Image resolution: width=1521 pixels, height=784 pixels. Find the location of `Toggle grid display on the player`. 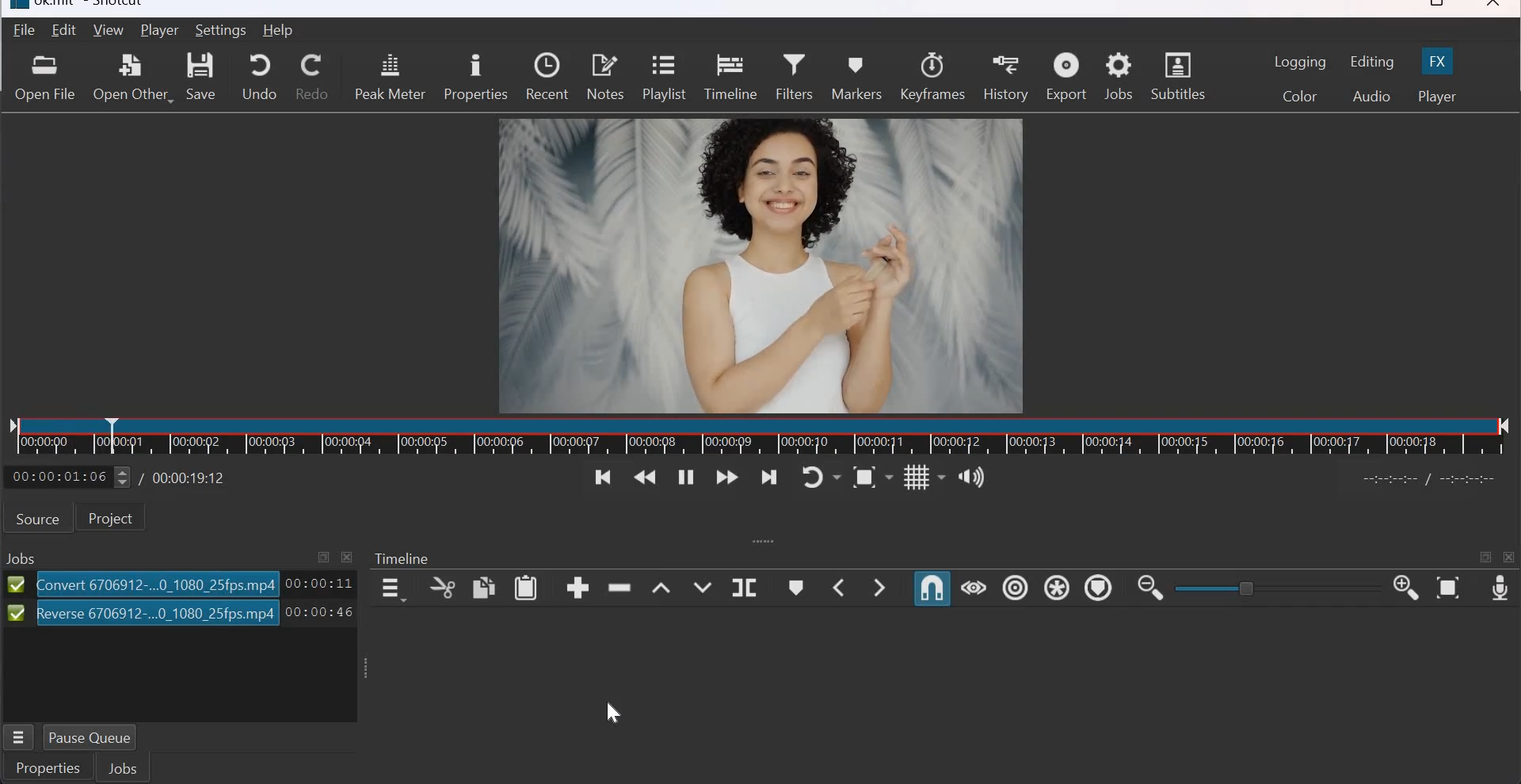

Toggle grid display on the player is located at coordinates (924, 476).